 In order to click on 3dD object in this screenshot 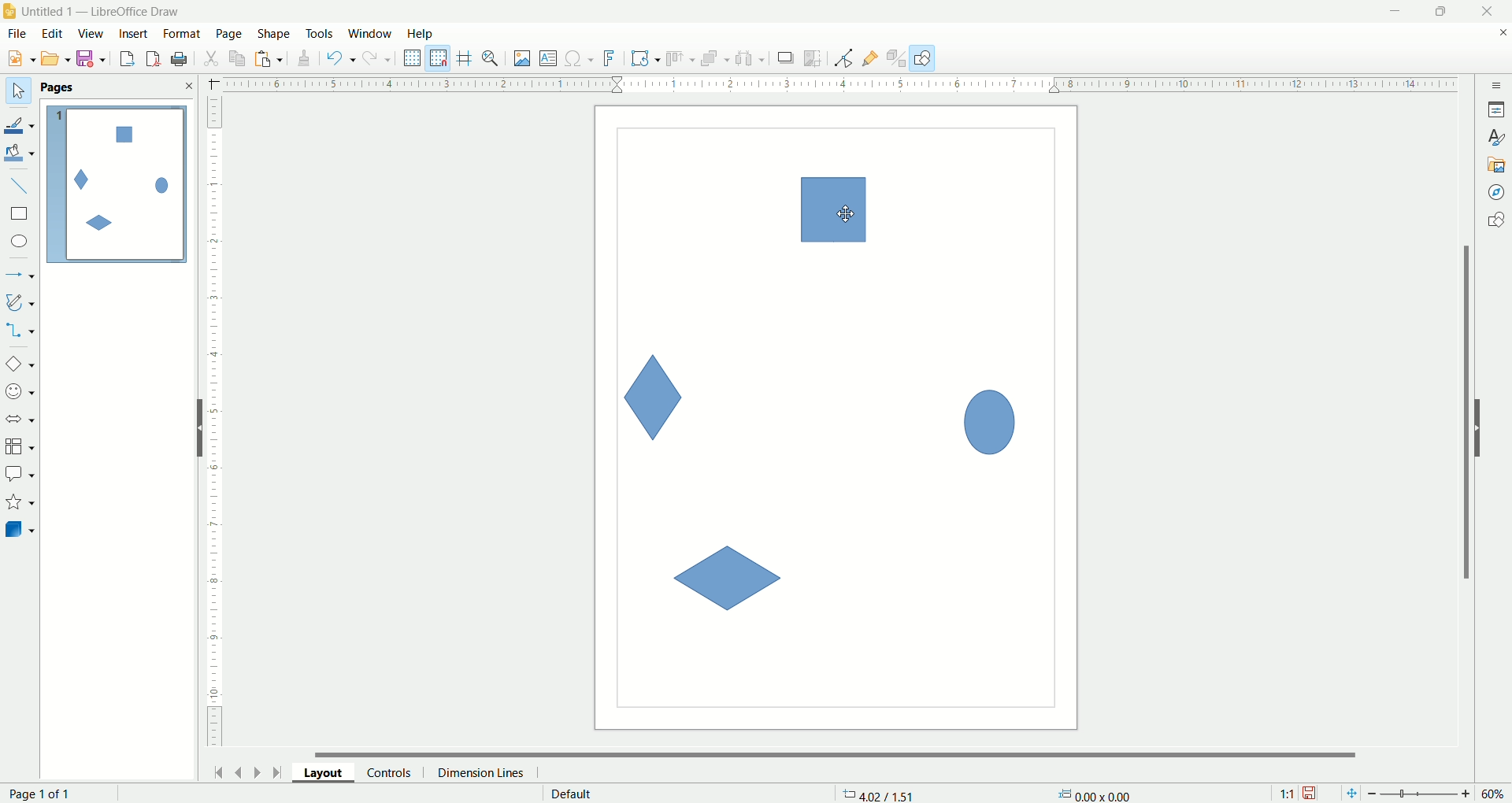, I will do `click(19, 529)`.